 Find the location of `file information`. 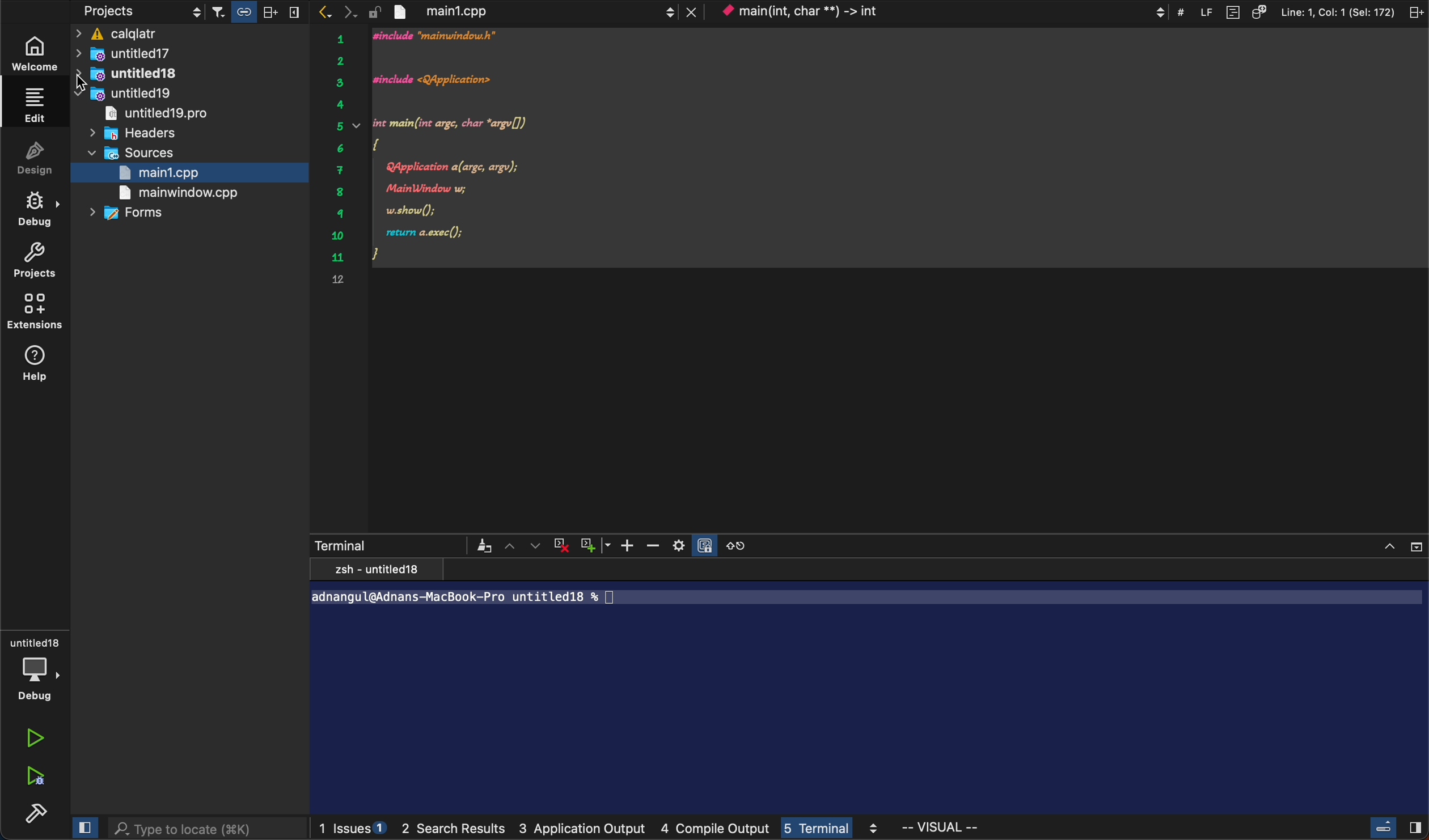

file information is located at coordinates (1287, 12).